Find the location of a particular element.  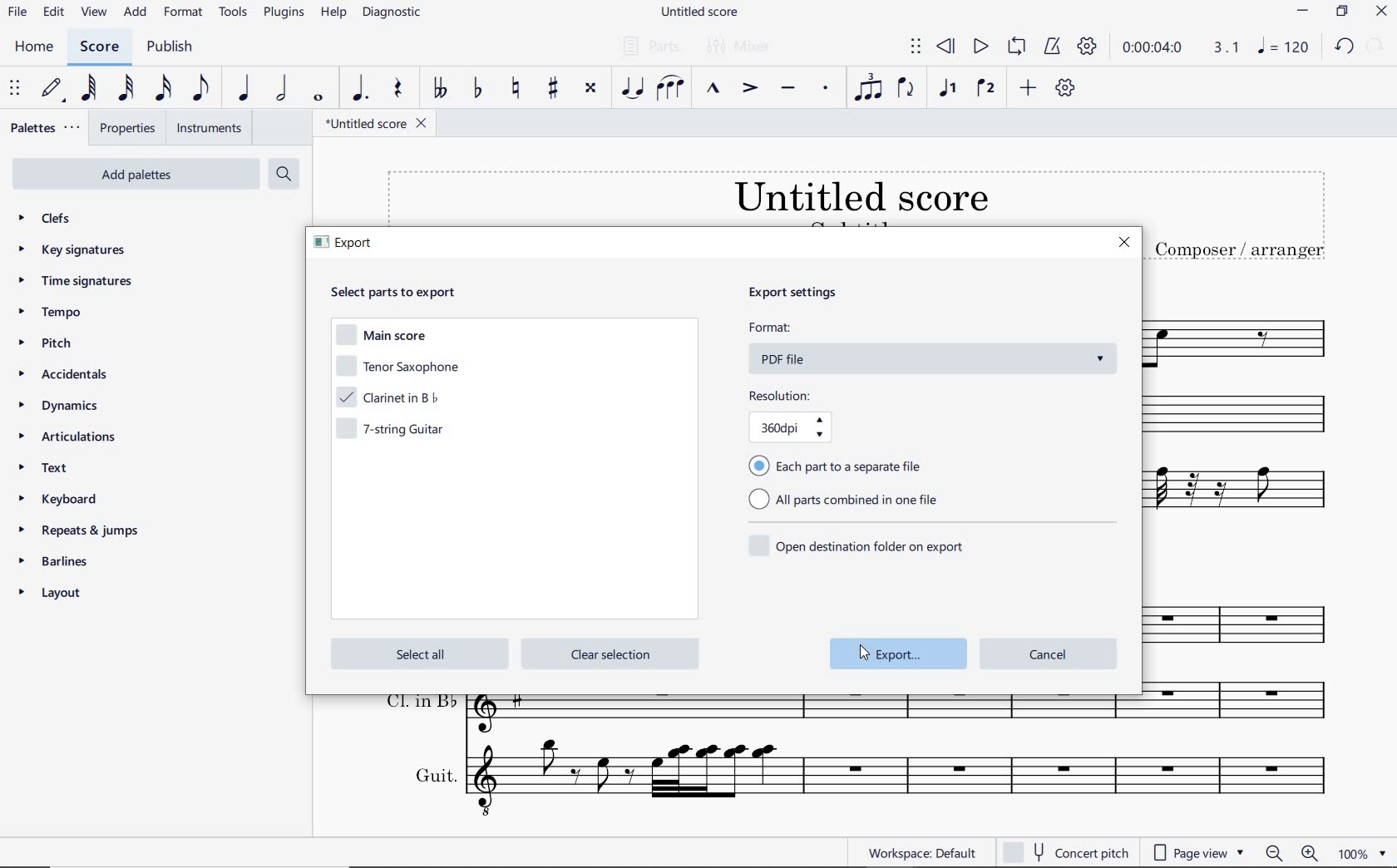

resolution is located at coordinates (818, 417).